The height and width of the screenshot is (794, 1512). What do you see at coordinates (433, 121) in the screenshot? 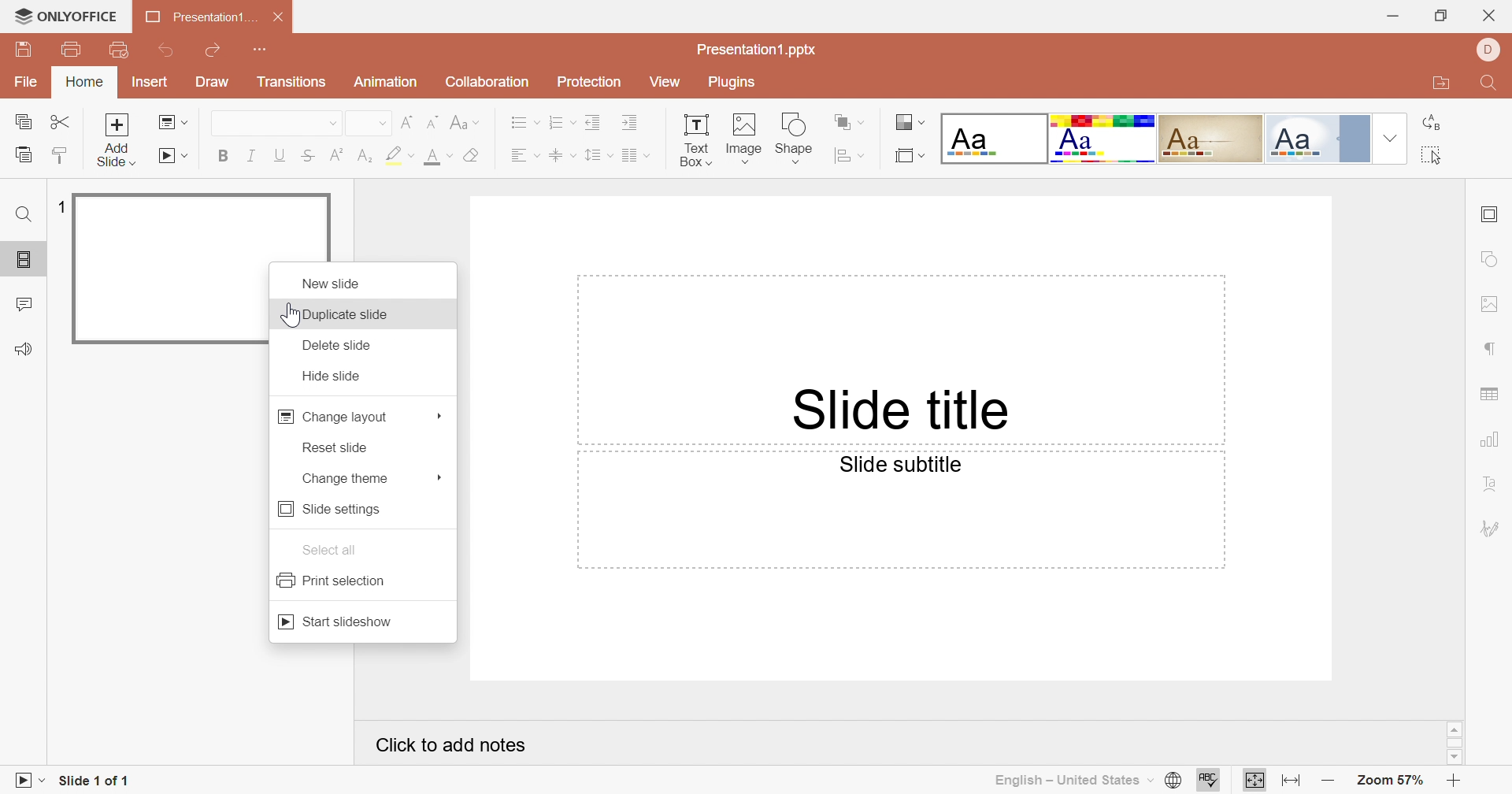
I see `Decrement Font Size` at bounding box center [433, 121].